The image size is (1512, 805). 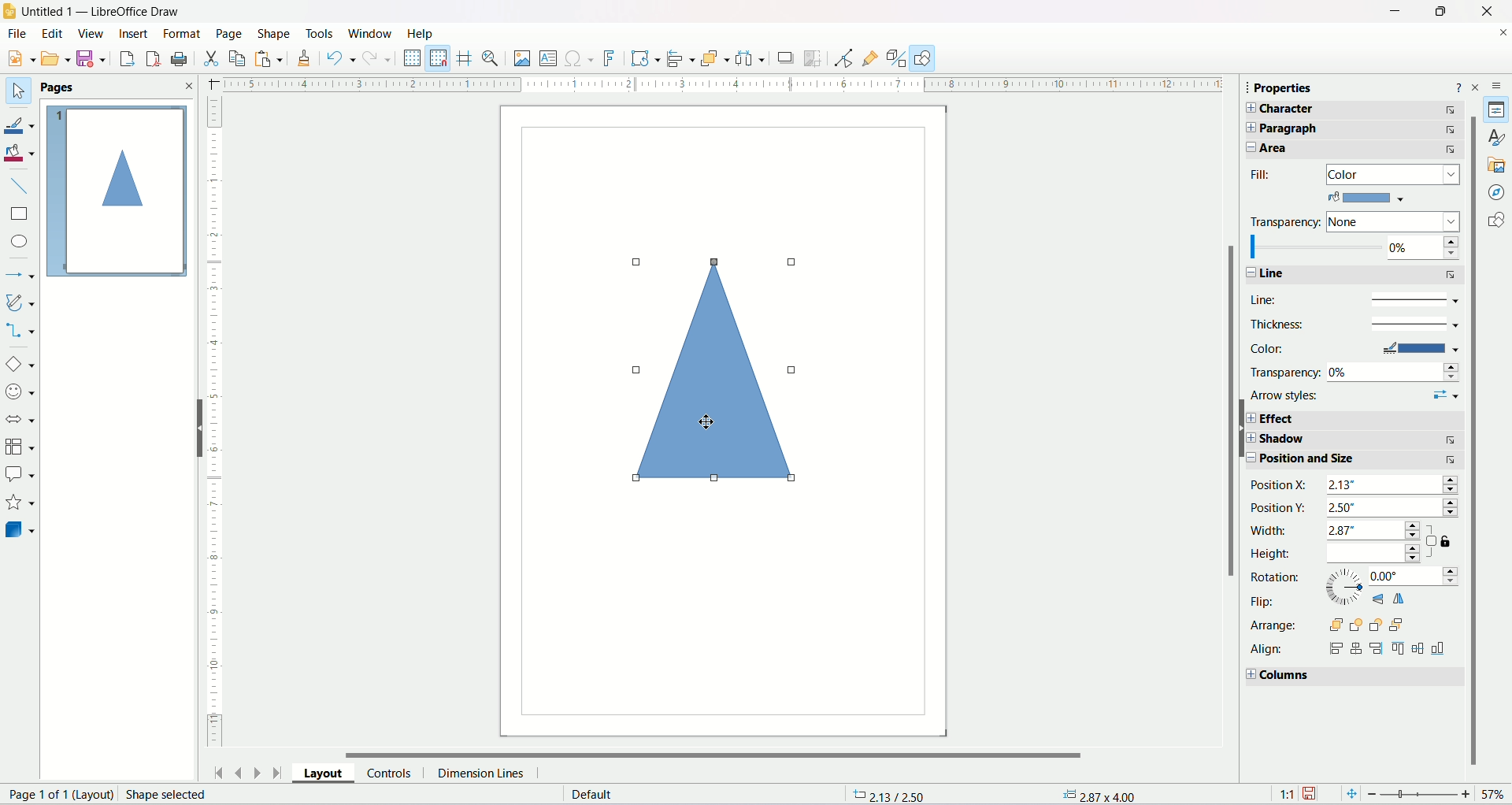 I want to click on Paste, so click(x=269, y=57).